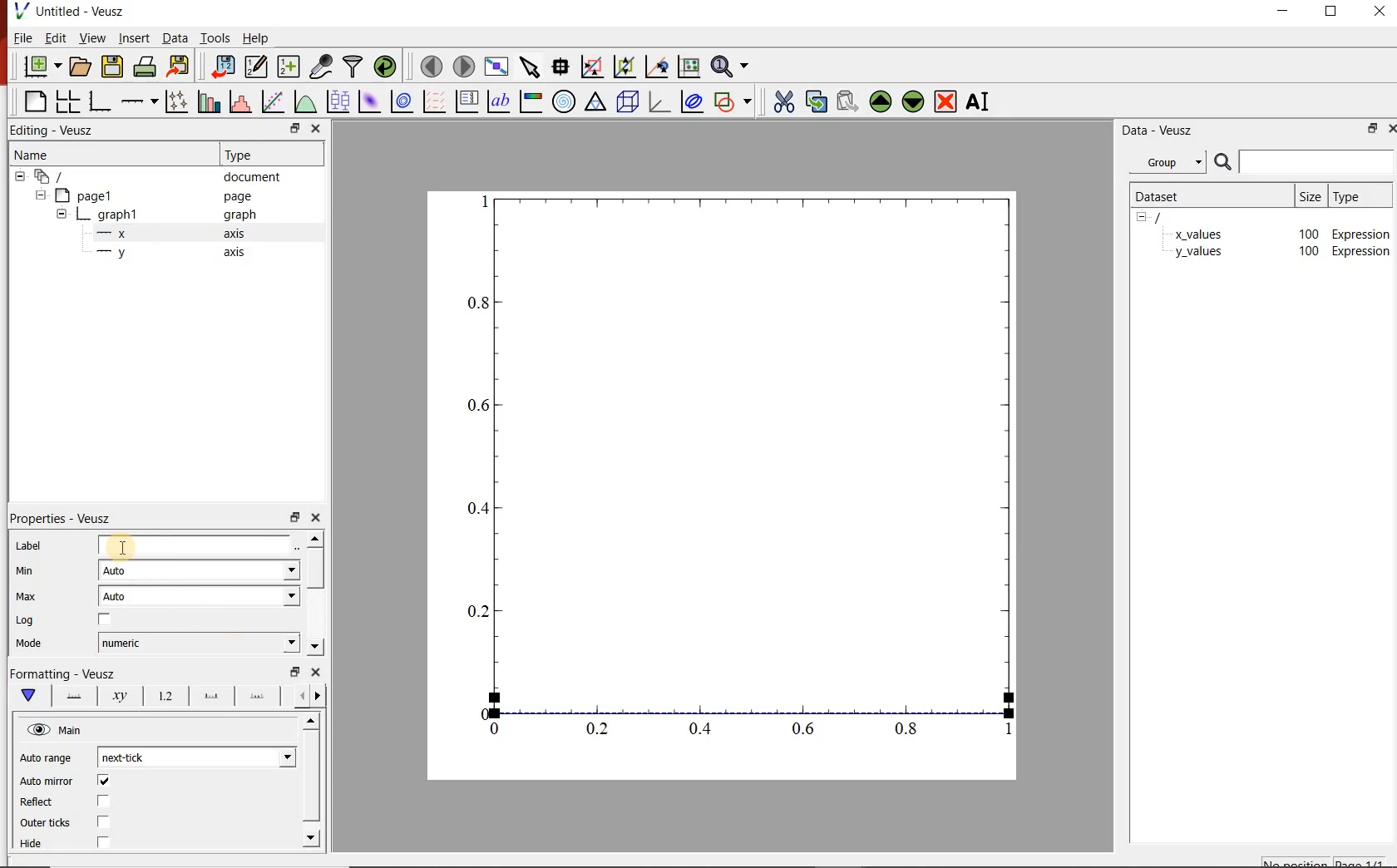 The height and width of the screenshot is (868, 1397). Describe the element at coordinates (316, 516) in the screenshot. I see `close` at that location.